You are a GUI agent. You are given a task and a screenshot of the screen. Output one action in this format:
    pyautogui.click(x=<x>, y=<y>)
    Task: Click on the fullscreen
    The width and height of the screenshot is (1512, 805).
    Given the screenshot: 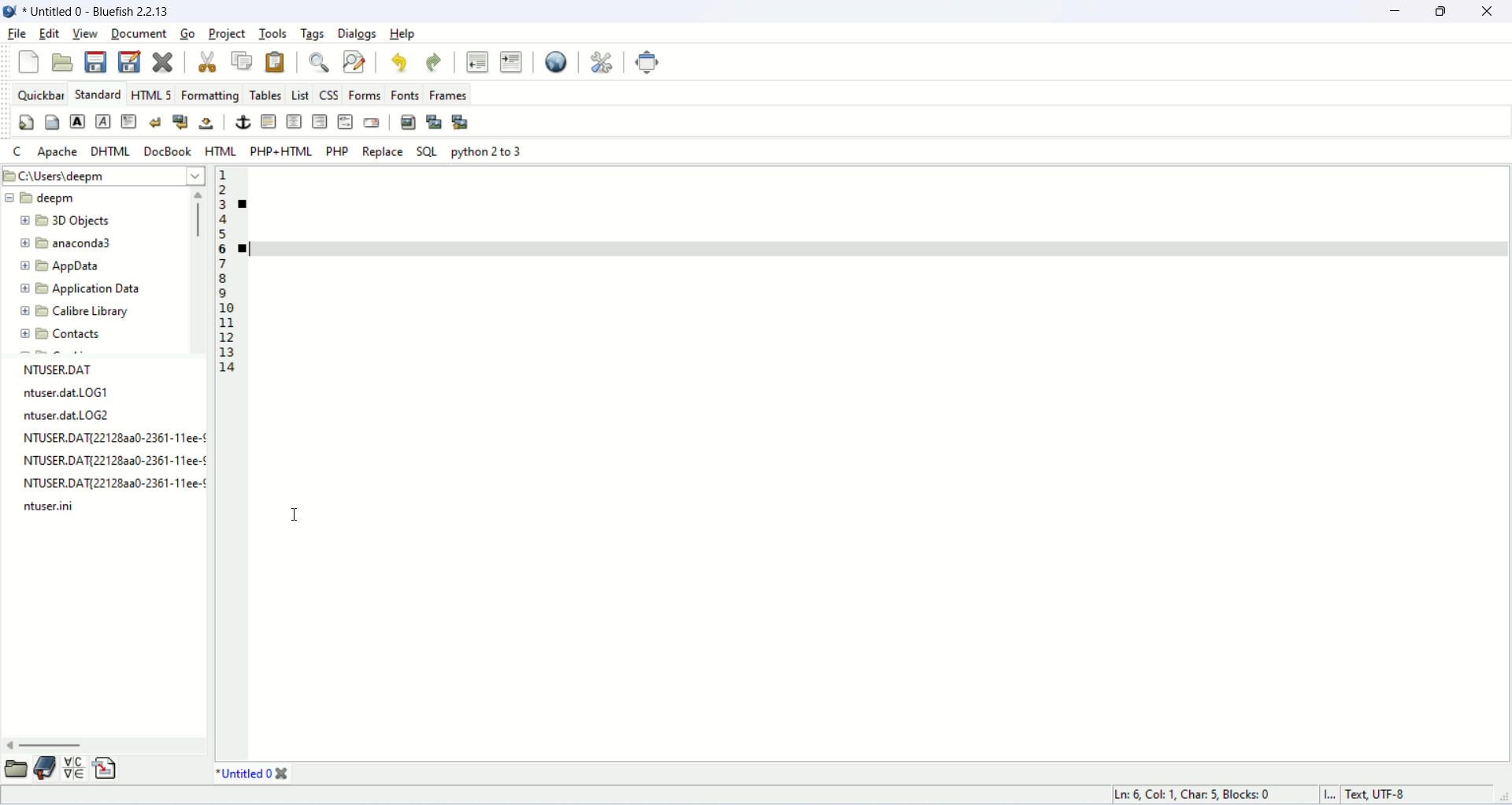 What is the action you would take?
    pyautogui.click(x=645, y=61)
    